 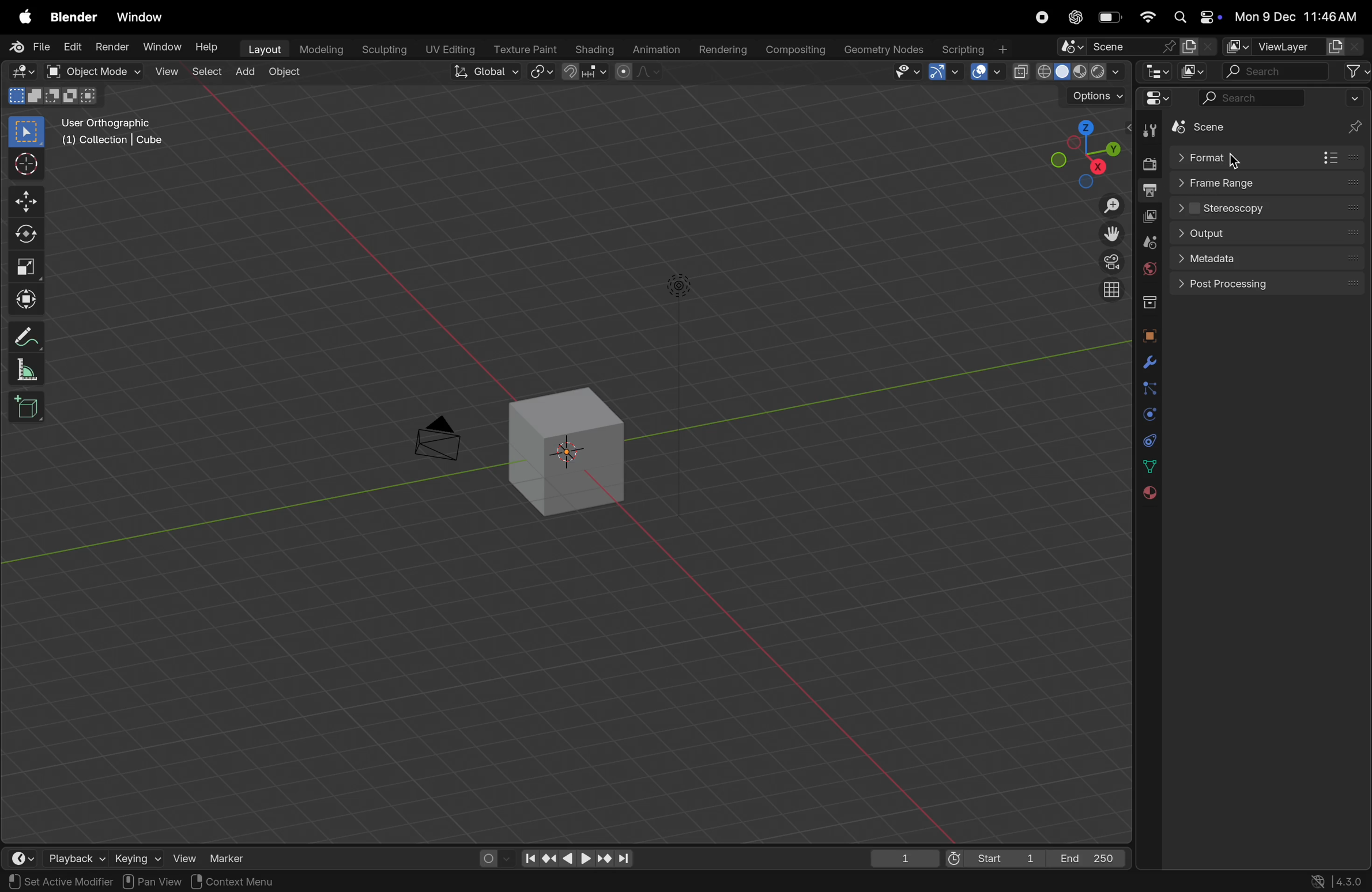 What do you see at coordinates (450, 48) in the screenshot?
I see `Uv editing` at bounding box center [450, 48].